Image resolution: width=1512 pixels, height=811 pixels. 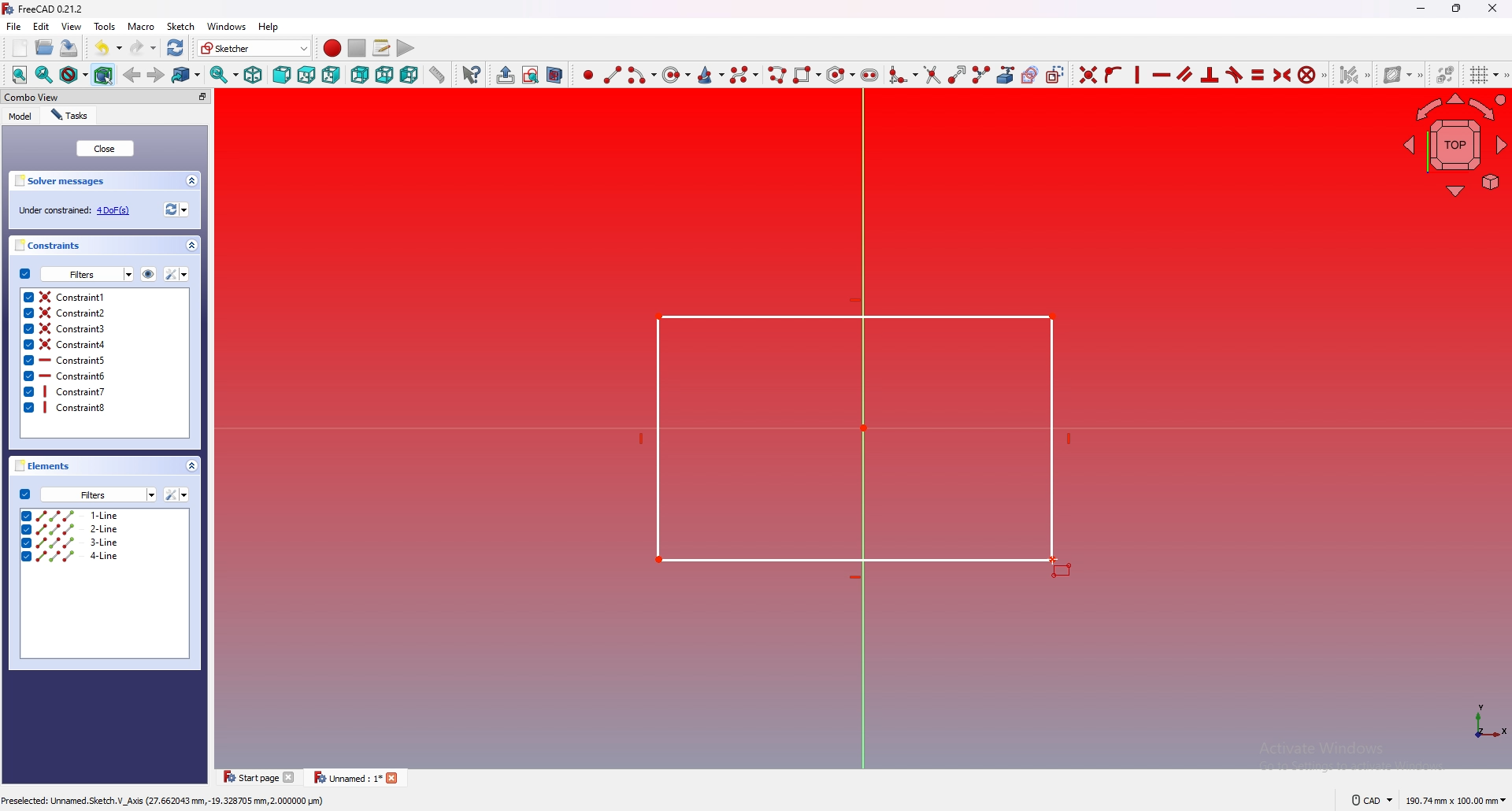 What do you see at coordinates (1488, 724) in the screenshot?
I see `axis` at bounding box center [1488, 724].